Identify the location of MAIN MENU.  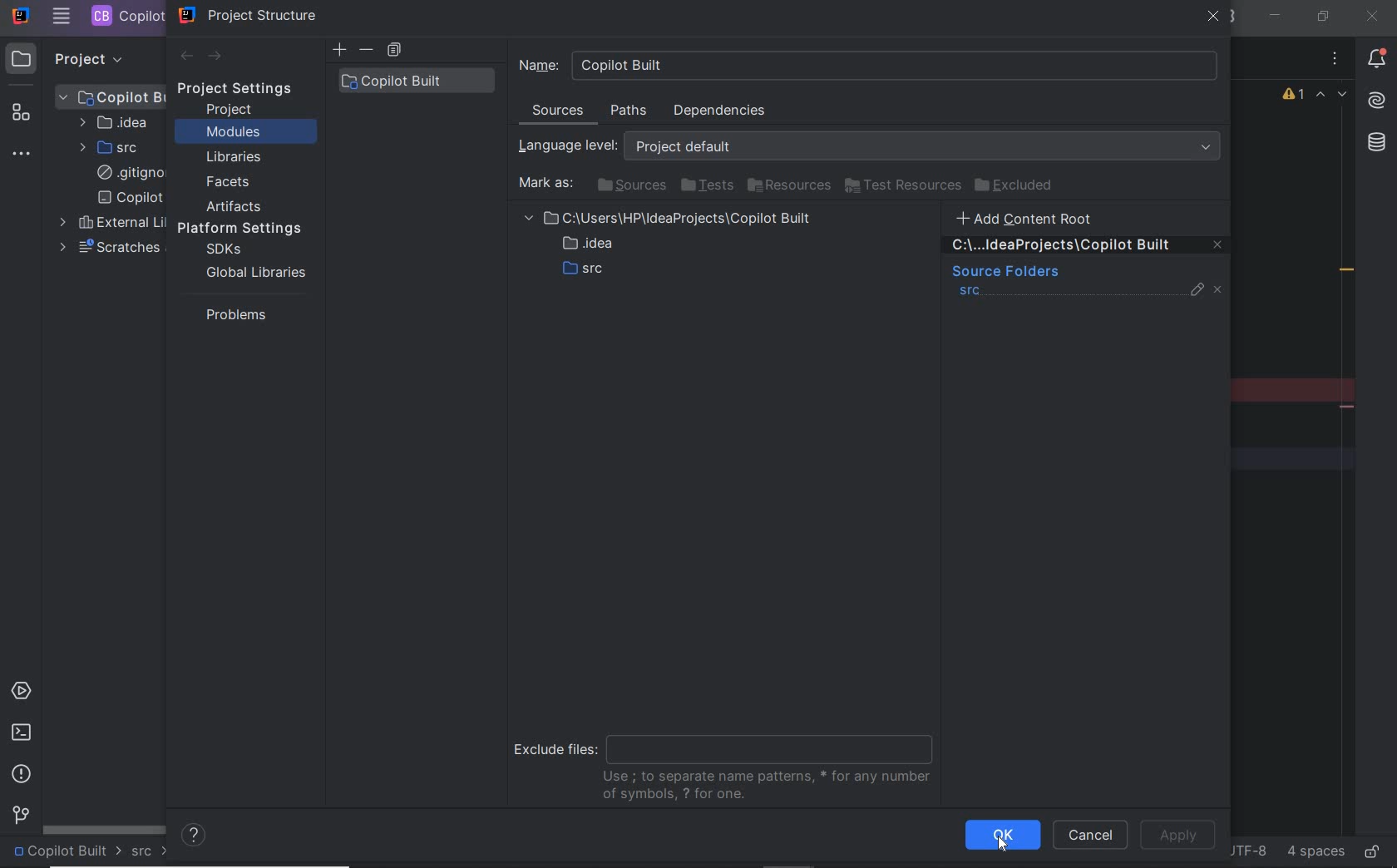
(61, 17).